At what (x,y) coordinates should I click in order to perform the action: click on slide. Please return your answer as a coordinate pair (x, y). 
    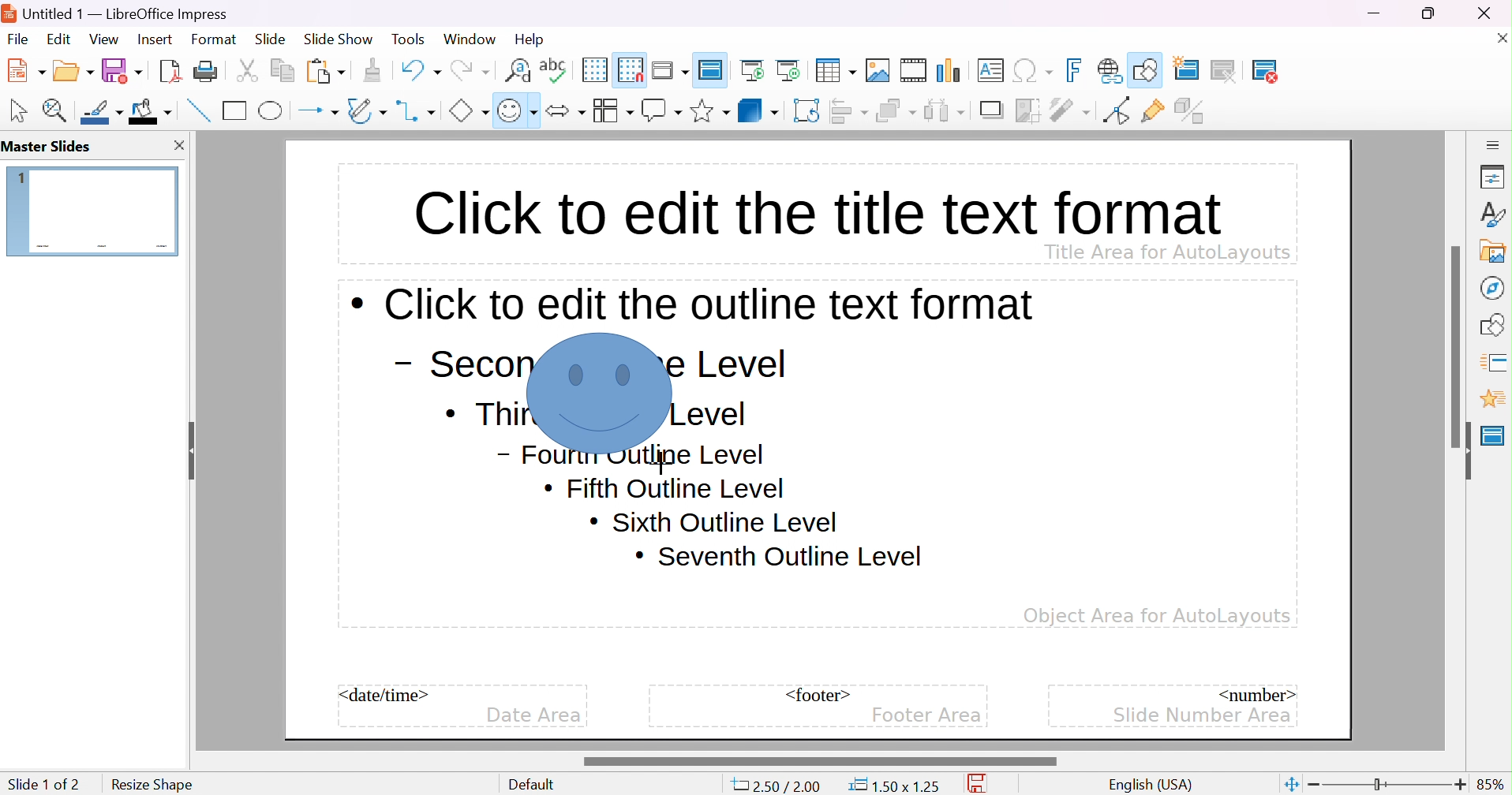
    Looking at the image, I should click on (93, 210).